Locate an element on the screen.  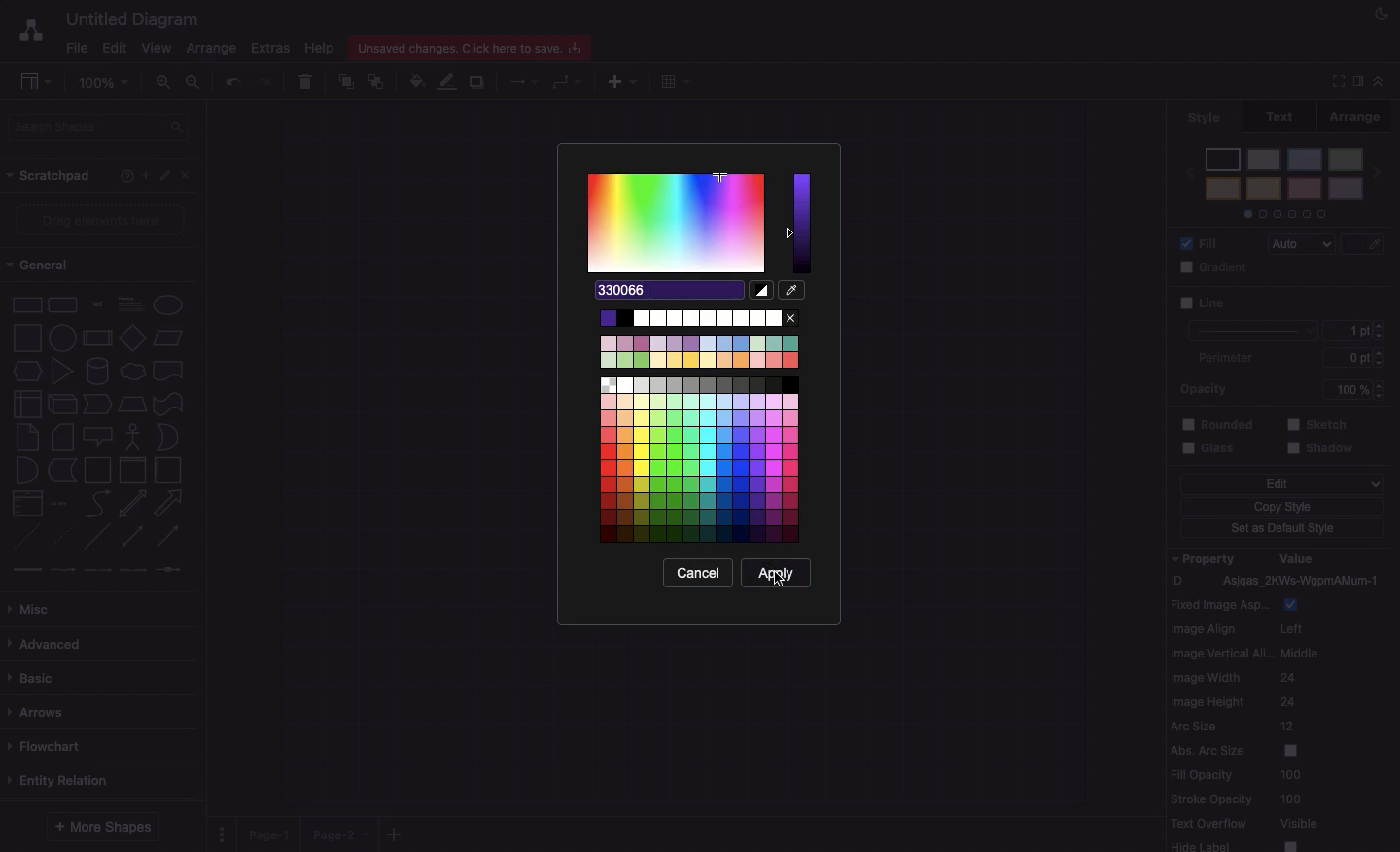
sketch is located at coordinates (1318, 423).